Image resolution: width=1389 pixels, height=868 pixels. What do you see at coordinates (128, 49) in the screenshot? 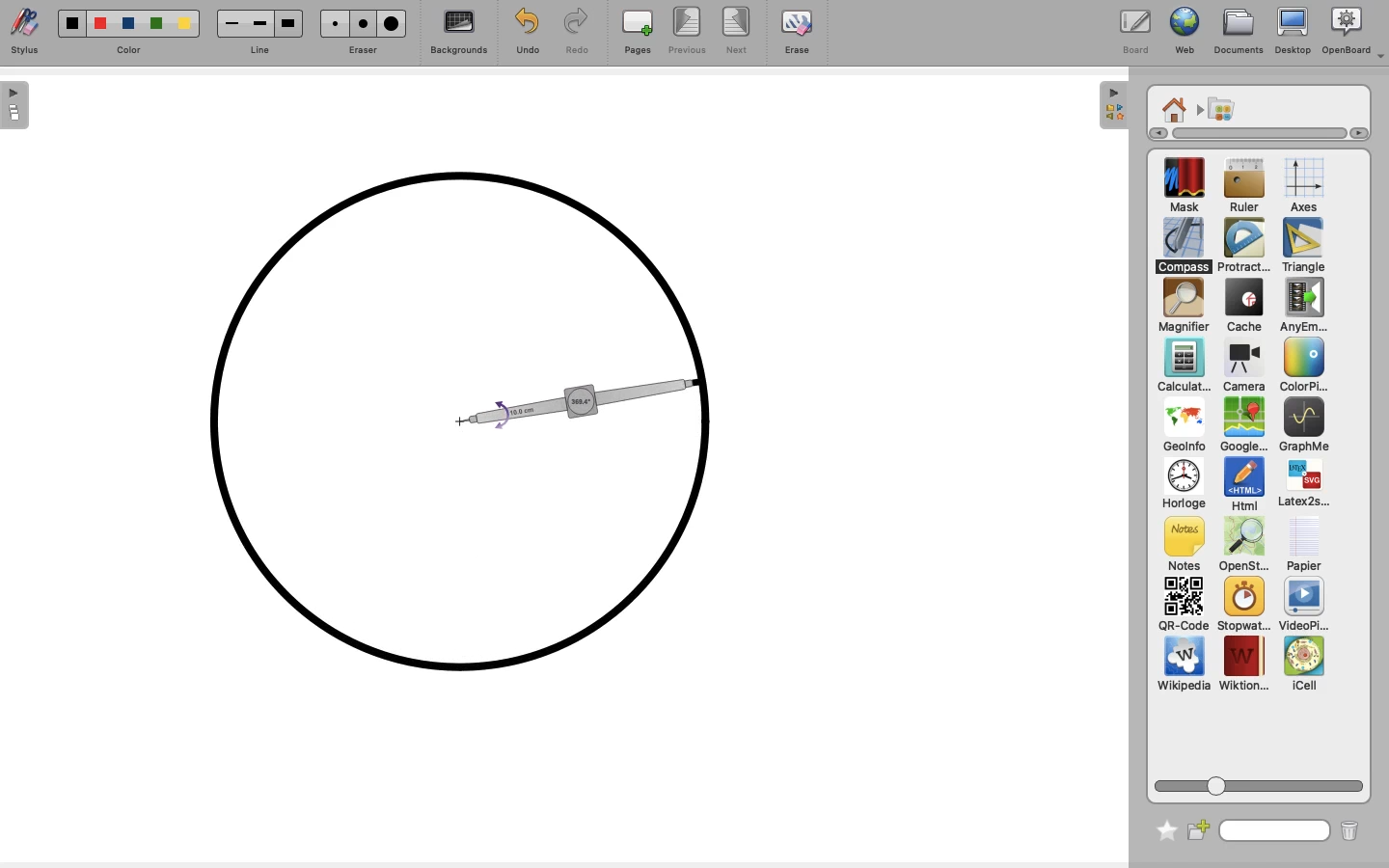
I see `color` at bounding box center [128, 49].